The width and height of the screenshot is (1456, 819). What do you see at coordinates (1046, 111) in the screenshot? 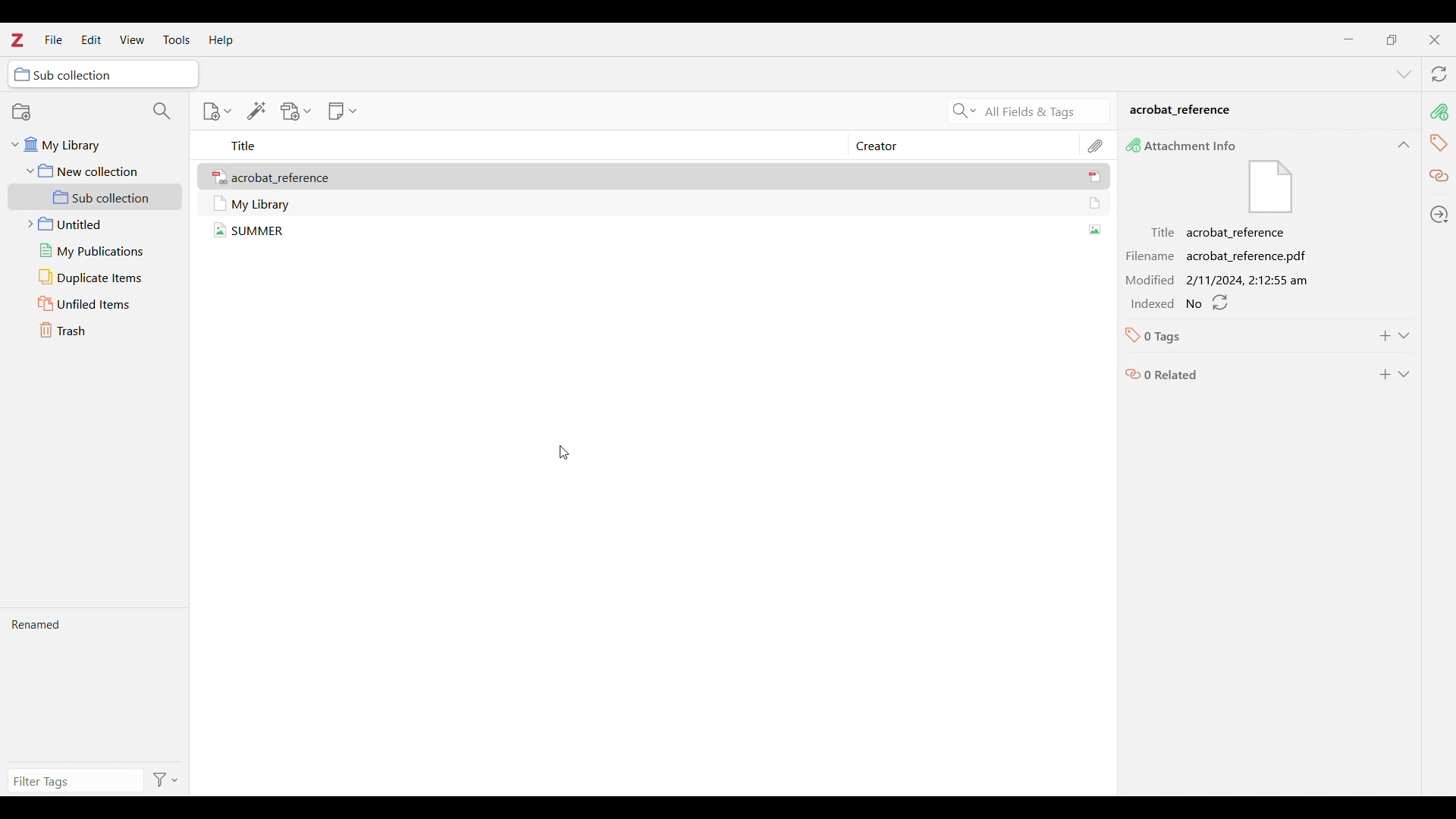
I see `All Fields & Tags` at bounding box center [1046, 111].